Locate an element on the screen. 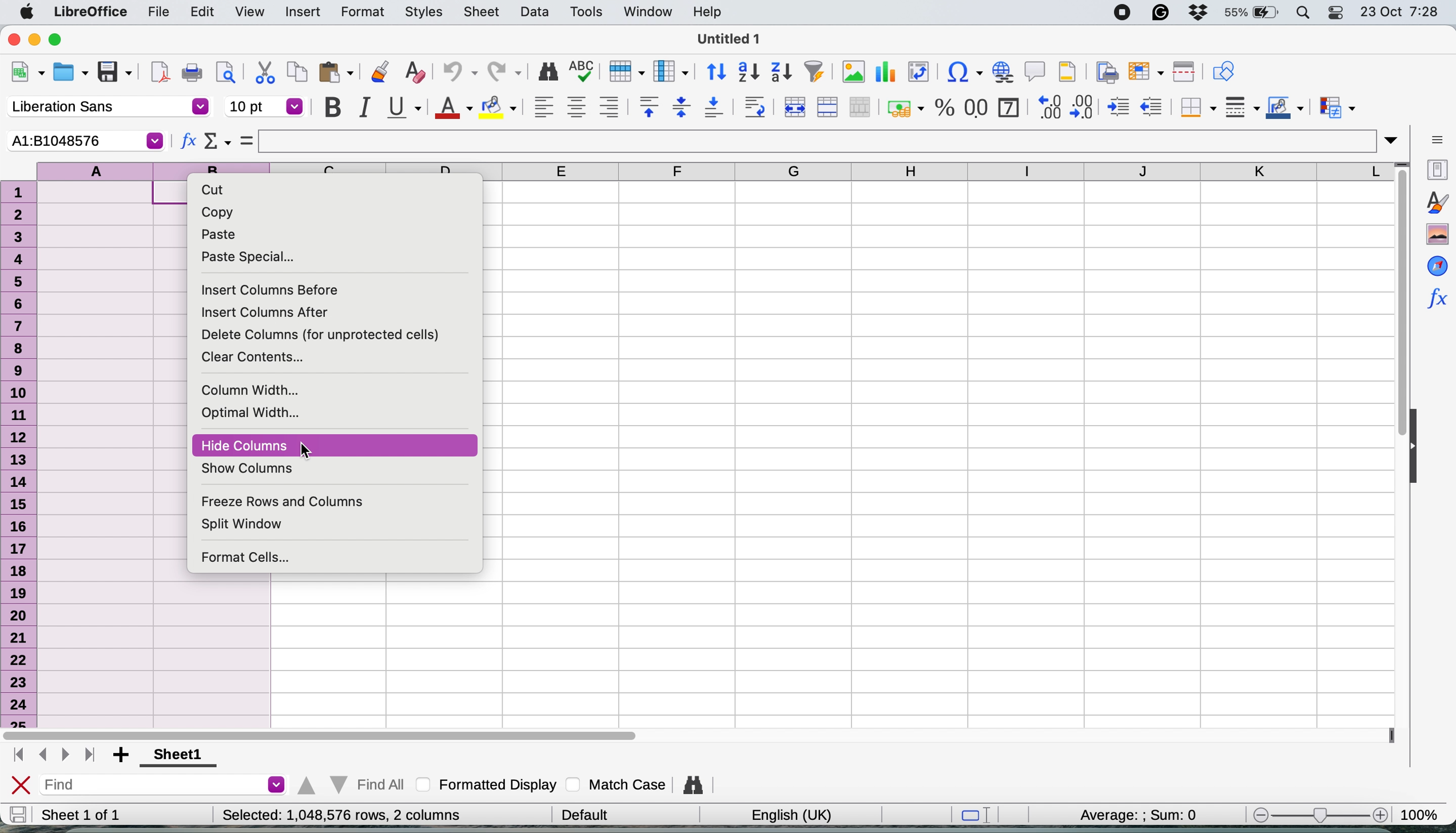 The width and height of the screenshot is (1456, 833). zoom factor is located at coordinates (1424, 811).